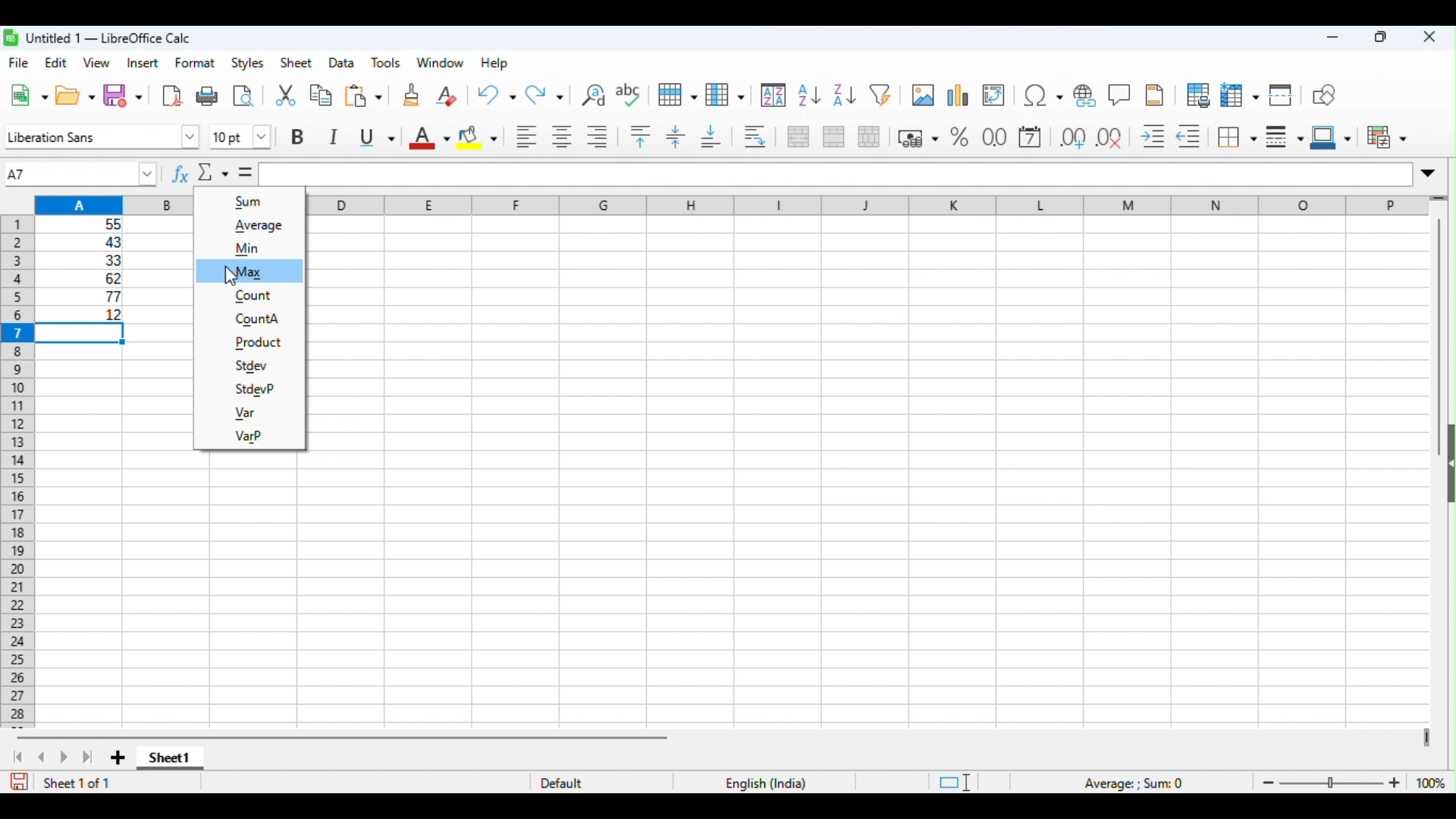 This screenshot has width=1456, height=819. Describe the element at coordinates (1153, 94) in the screenshot. I see `insert header and footer` at that location.